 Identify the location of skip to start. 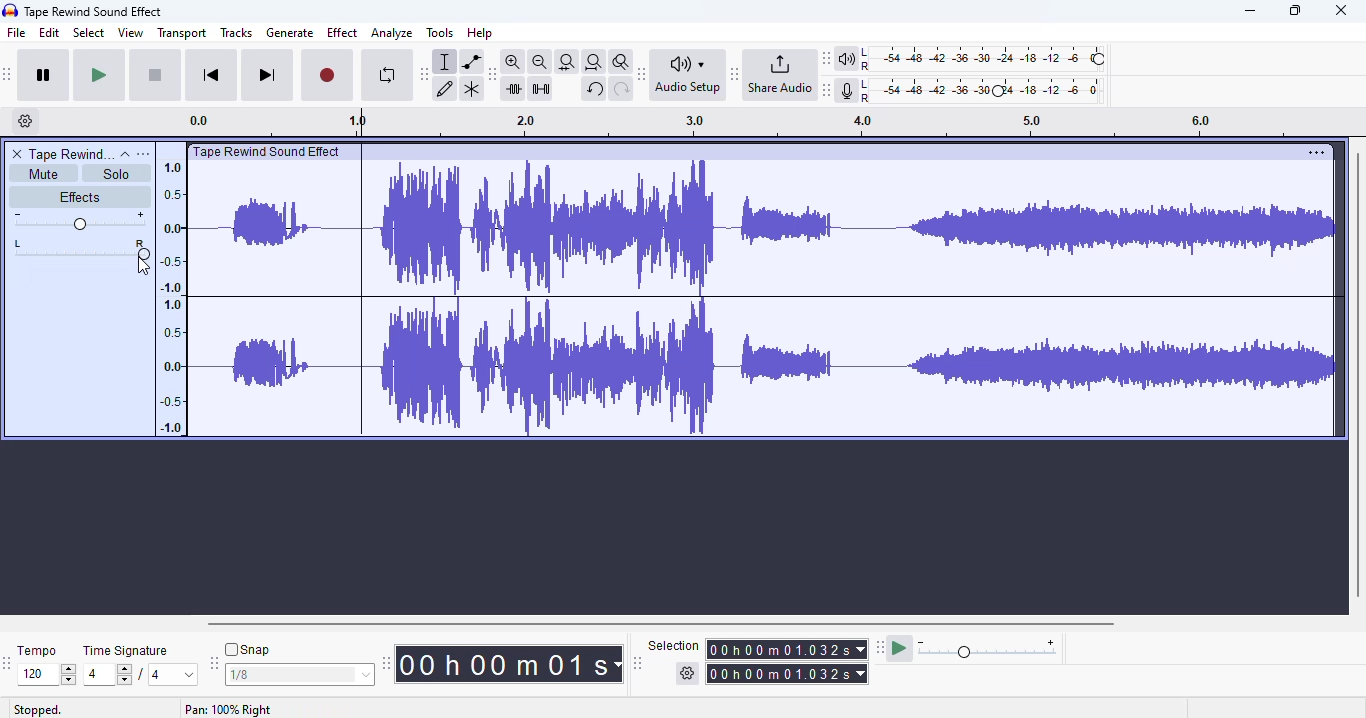
(213, 74).